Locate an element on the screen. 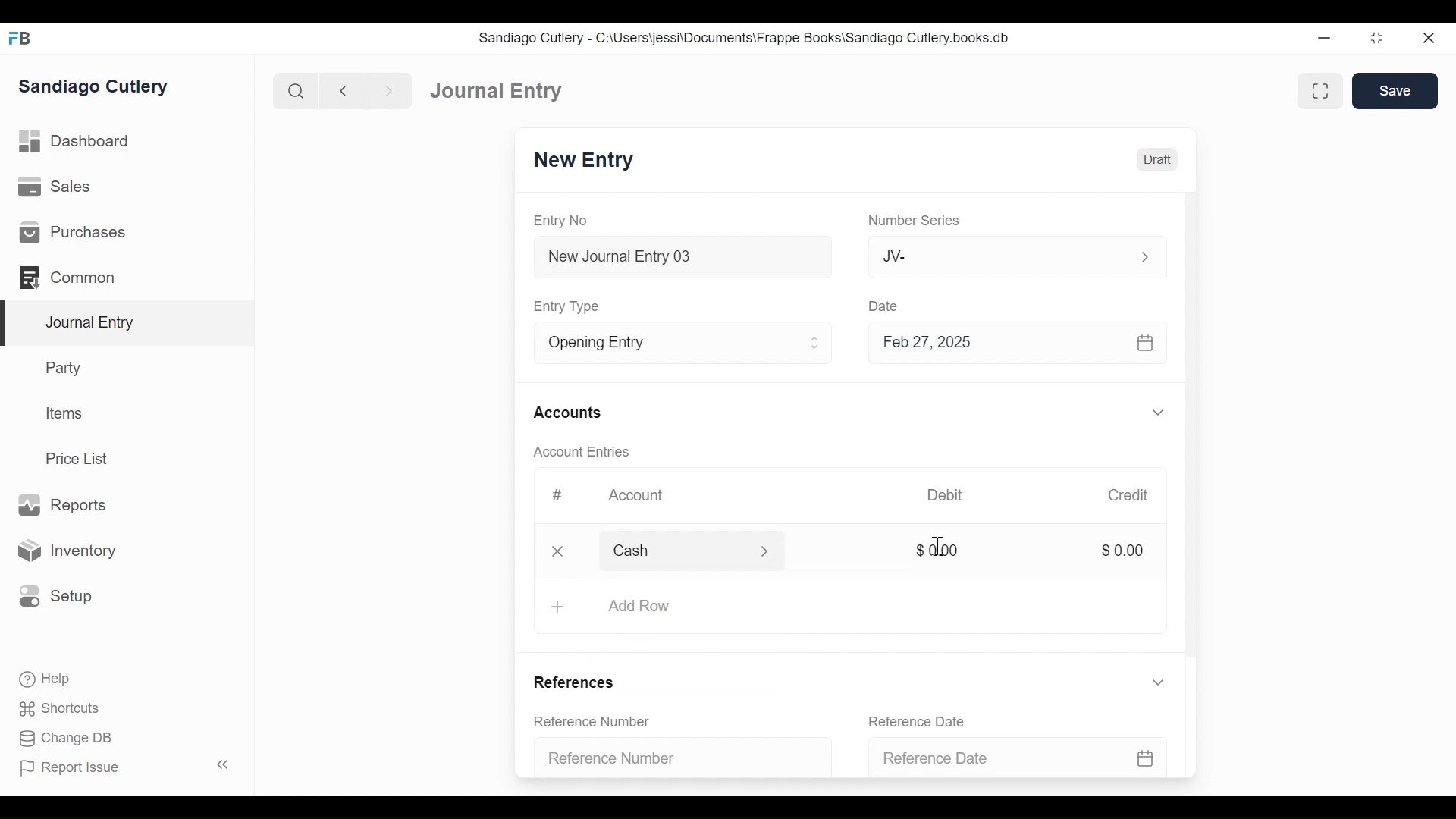 Image resolution: width=1456 pixels, height=819 pixels. Report Issue is located at coordinates (71, 768).